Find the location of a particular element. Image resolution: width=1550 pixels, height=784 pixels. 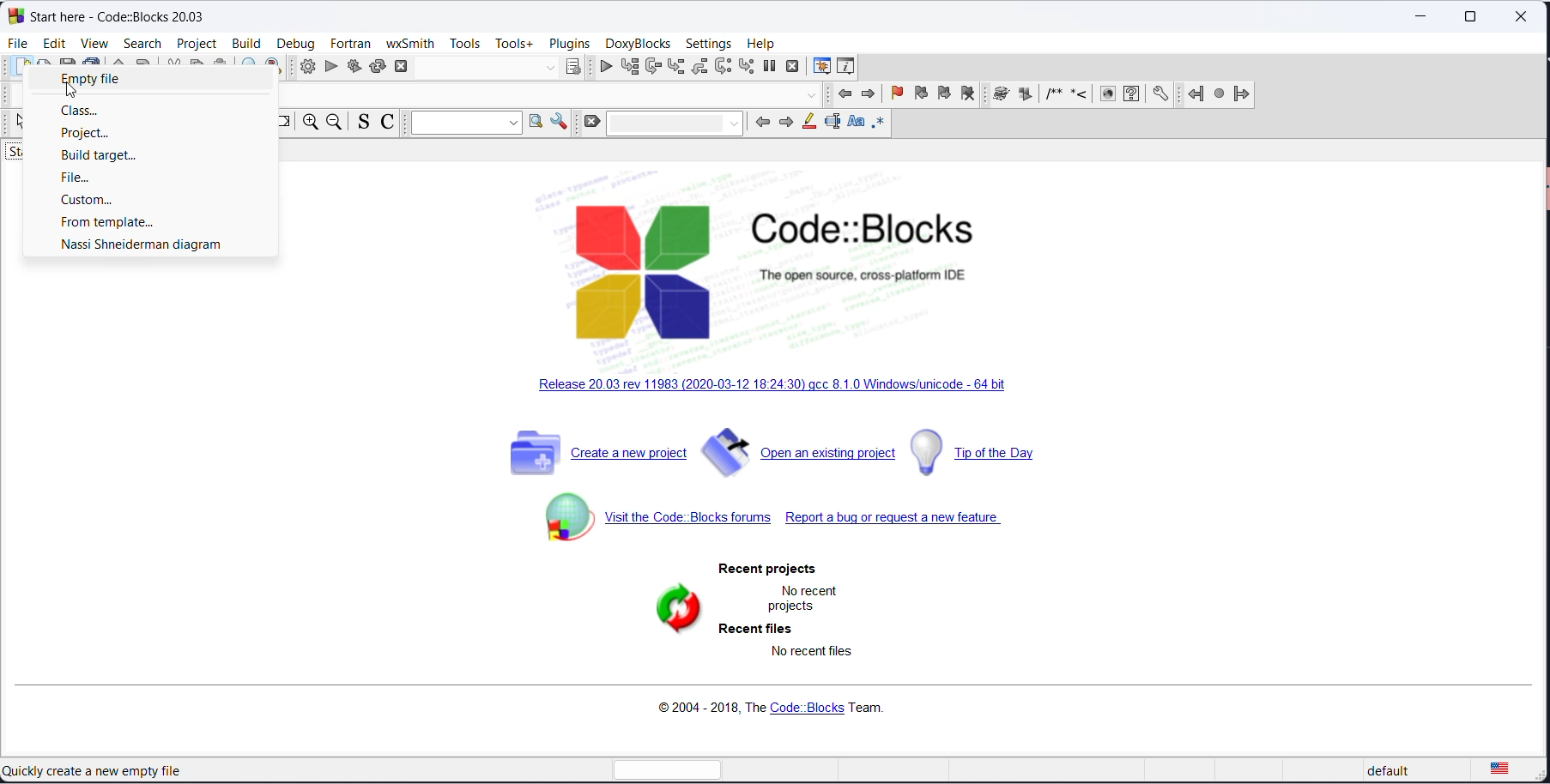

abort is located at coordinates (405, 67).